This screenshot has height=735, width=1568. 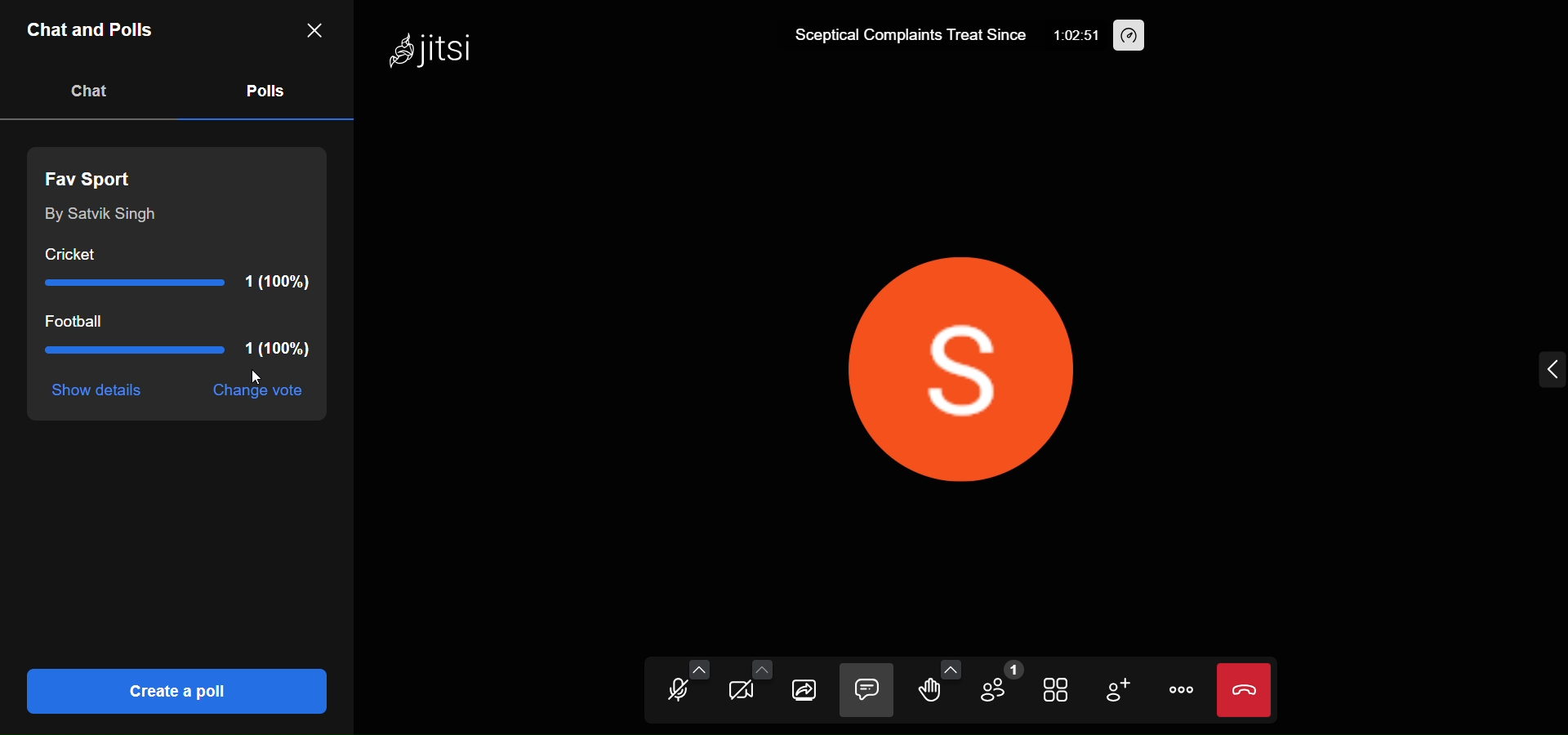 I want to click on microphone, so click(x=673, y=693).